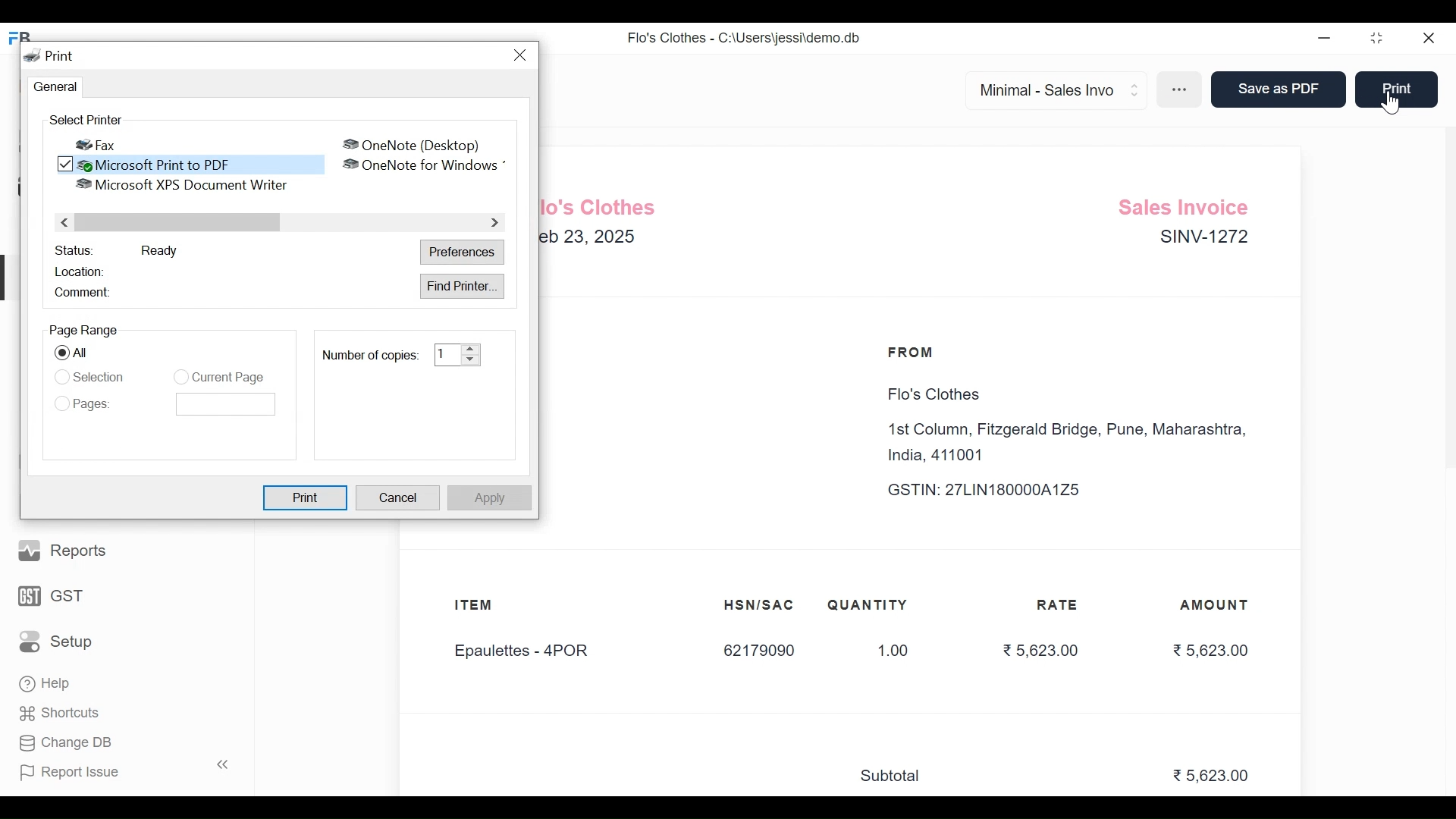  Describe the element at coordinates (56, 640) in the screenshot. I see `Setup` at that location.